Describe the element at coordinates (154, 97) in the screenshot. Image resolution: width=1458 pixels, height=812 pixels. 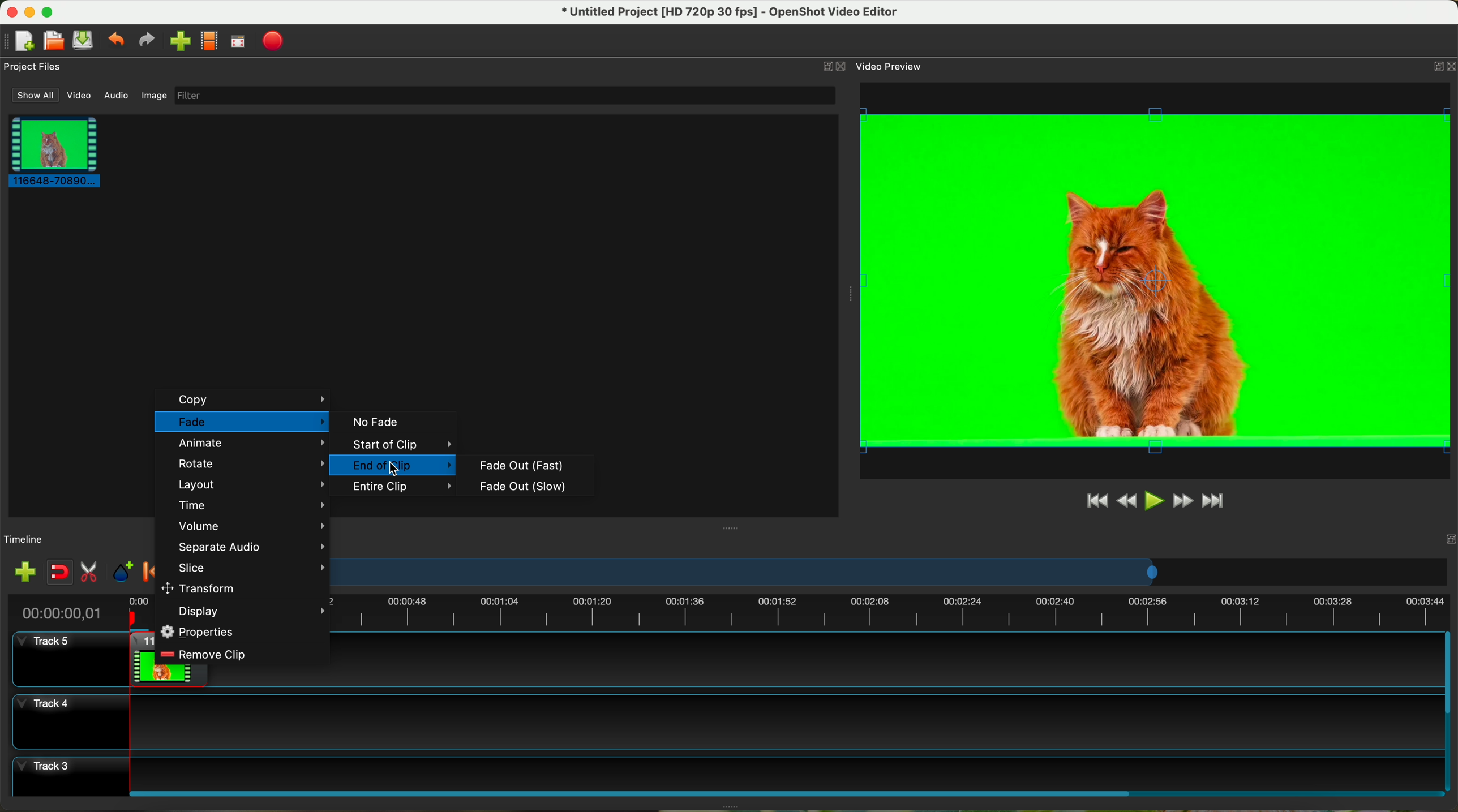
I see `image` at that location.